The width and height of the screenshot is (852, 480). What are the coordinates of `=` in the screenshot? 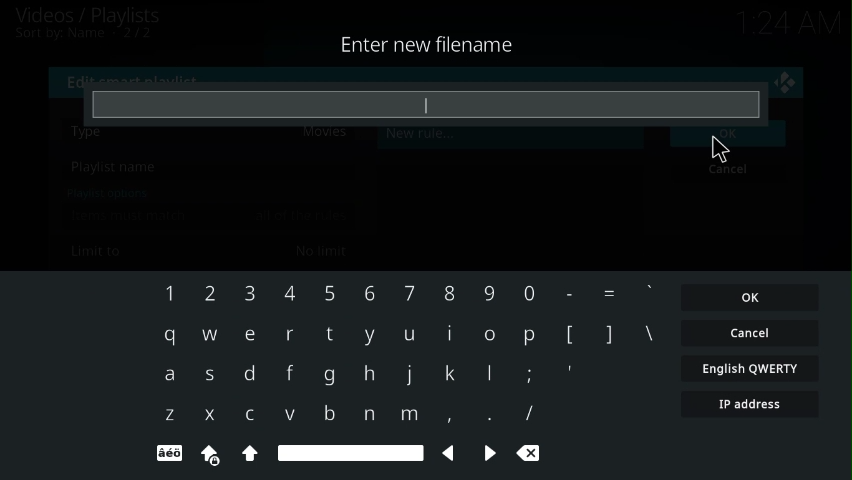 It's located at (608, 293).